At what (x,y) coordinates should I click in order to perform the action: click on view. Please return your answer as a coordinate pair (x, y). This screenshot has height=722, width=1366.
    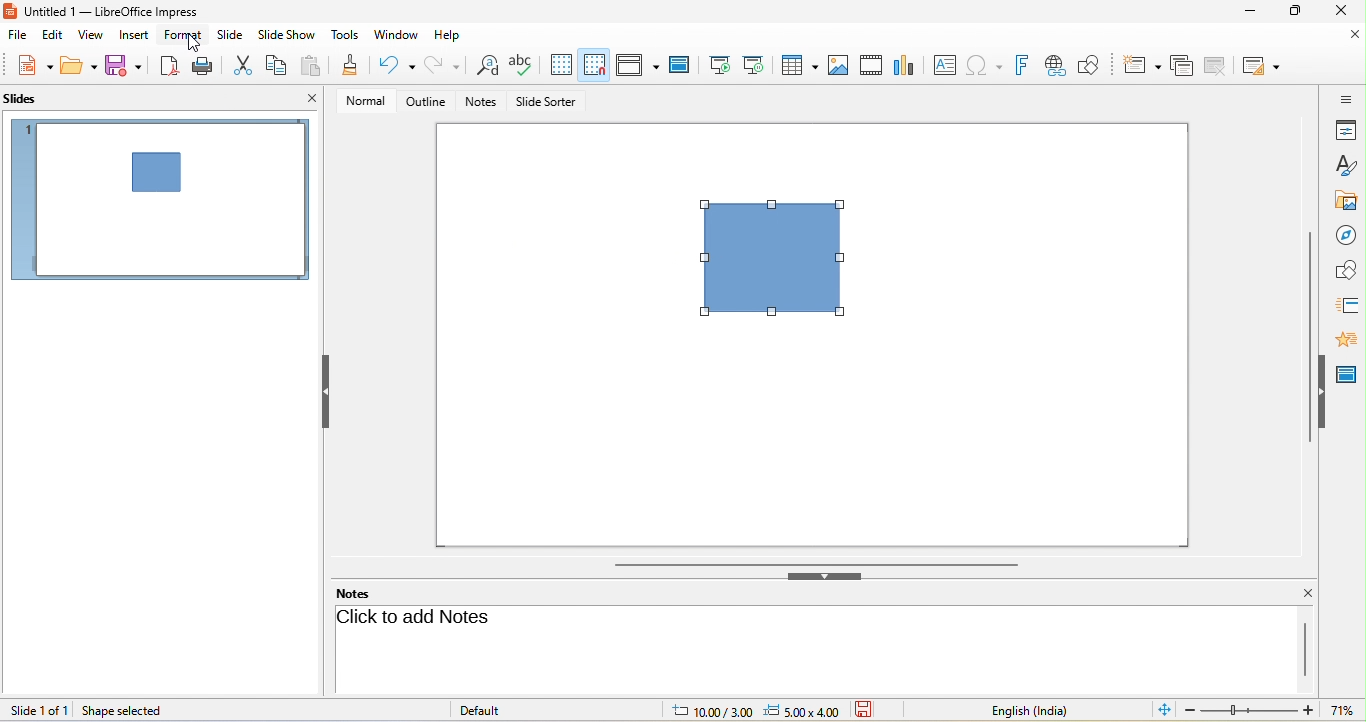
    Looking at the image, I should click on (92, 35).